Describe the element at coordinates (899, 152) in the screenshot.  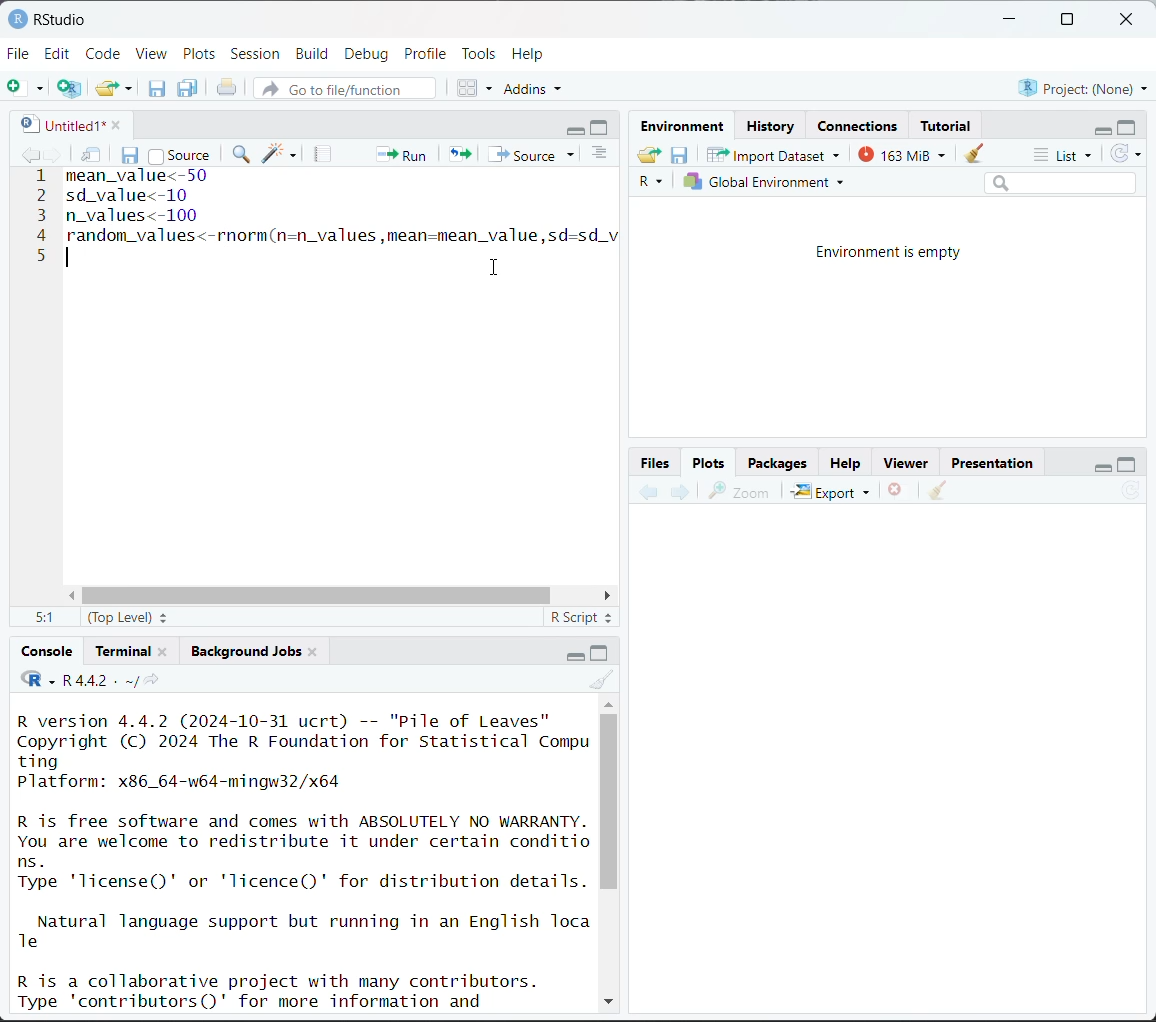
I see ` 163 MiB` at that location.